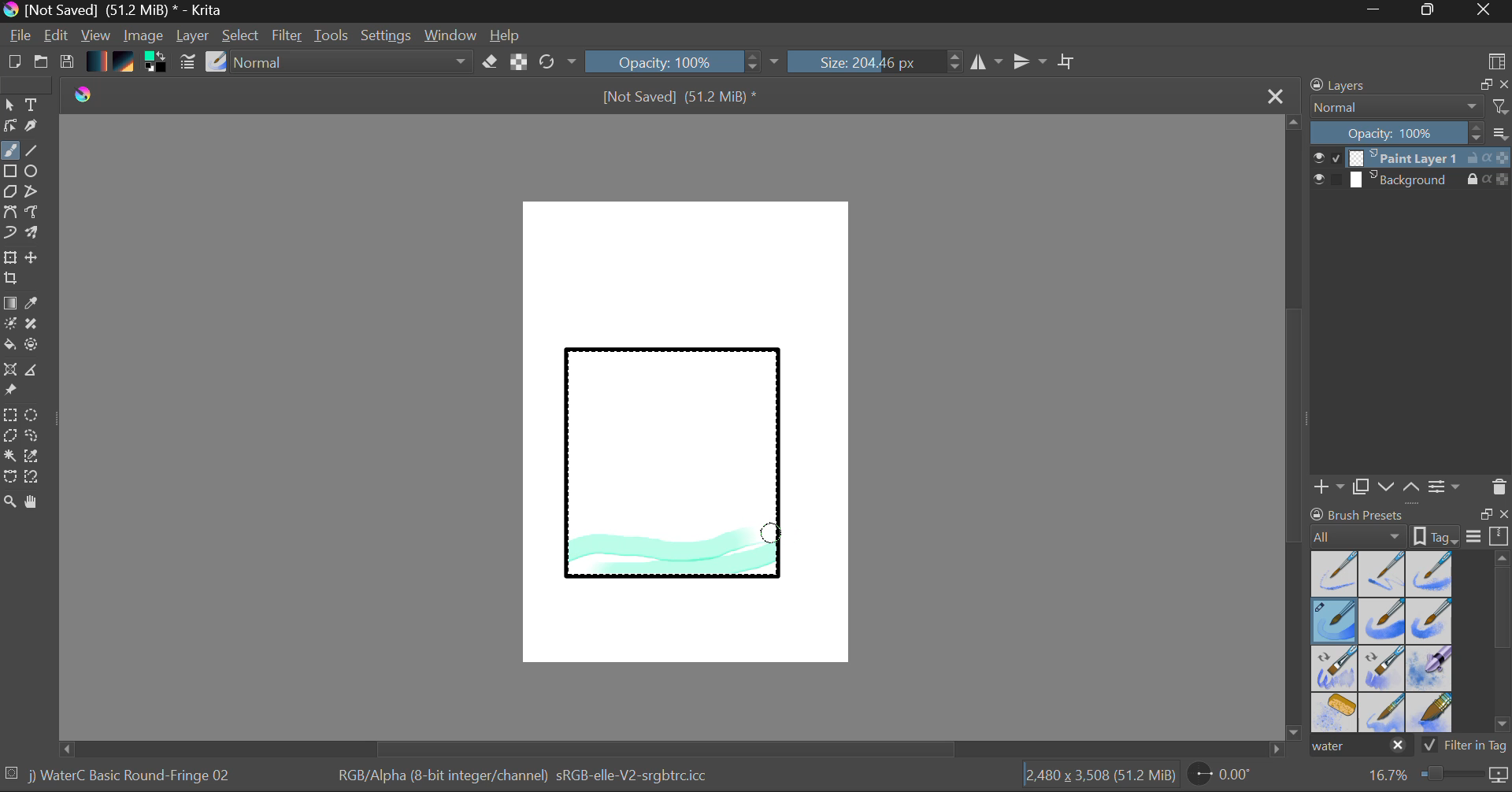 This screenshot has width=1512, height=792. I want to click on Crop, so click(13, 279).